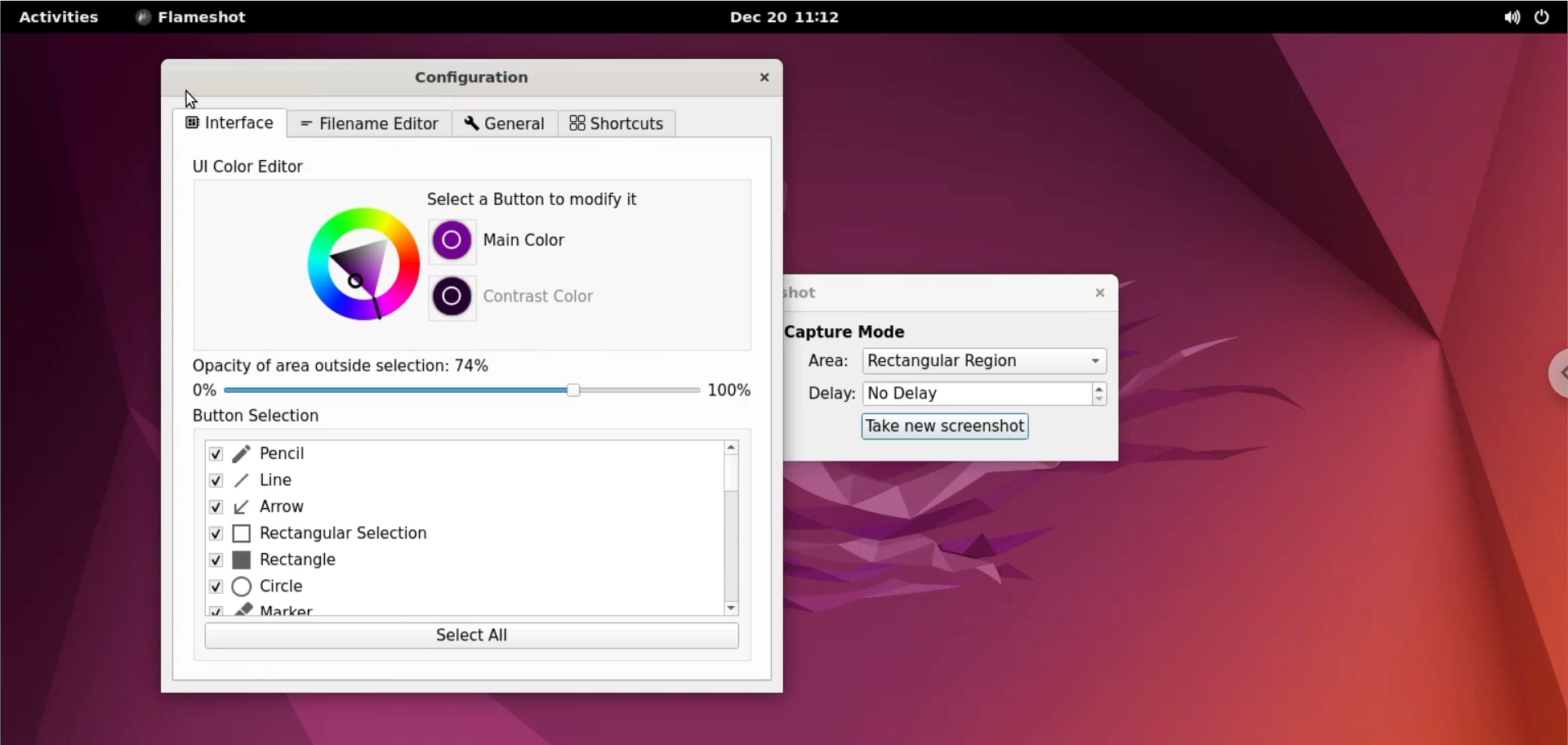 The width and height of the screenshot is (1568, 745). What do you see at coordinates (194, 18) in the screenshot?
I see `flameshot menu` at bounding box center [194, 18].